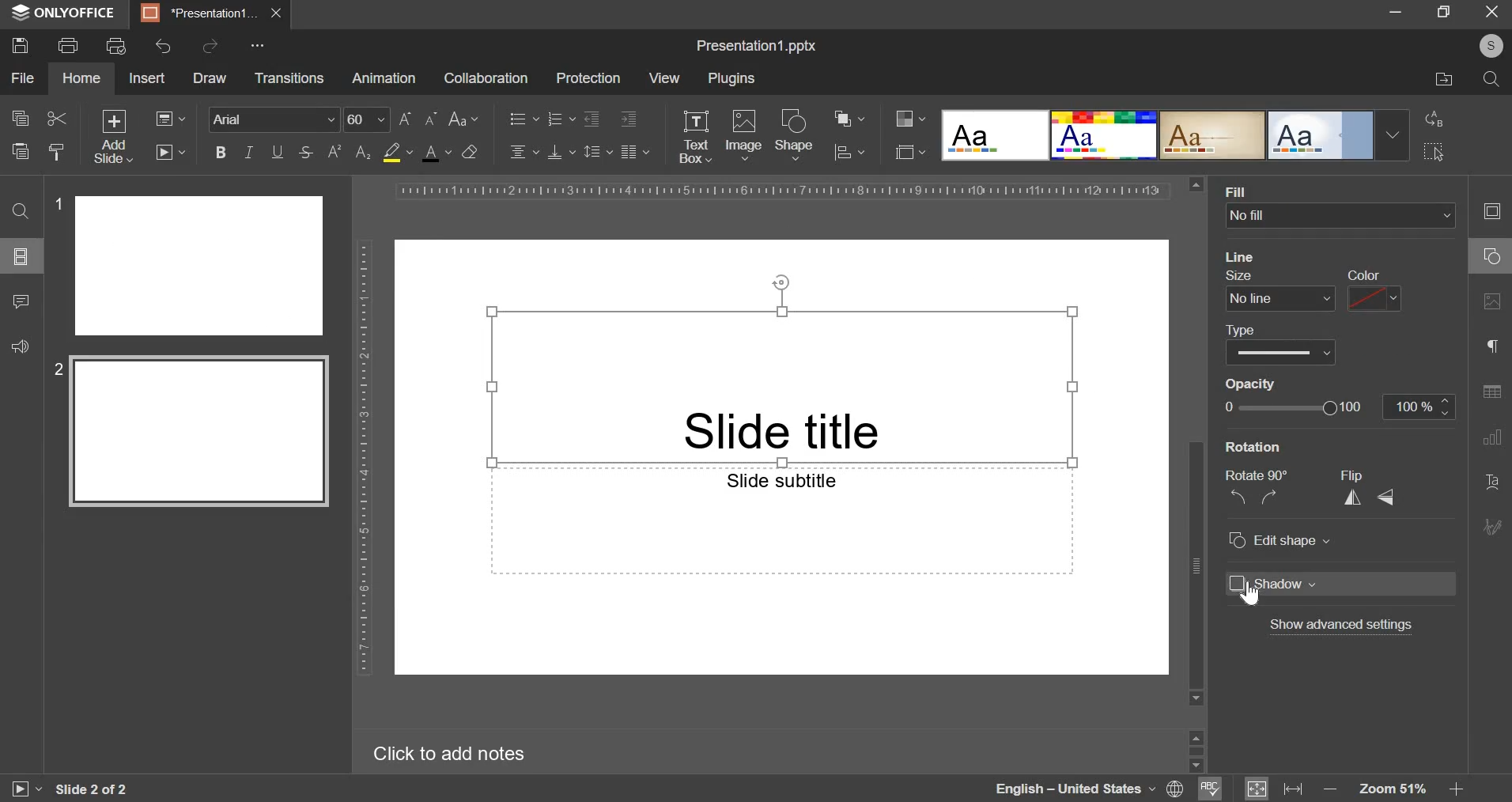 This screenshot has height=802, width=1512. I want to click on align, so click(850, 153).